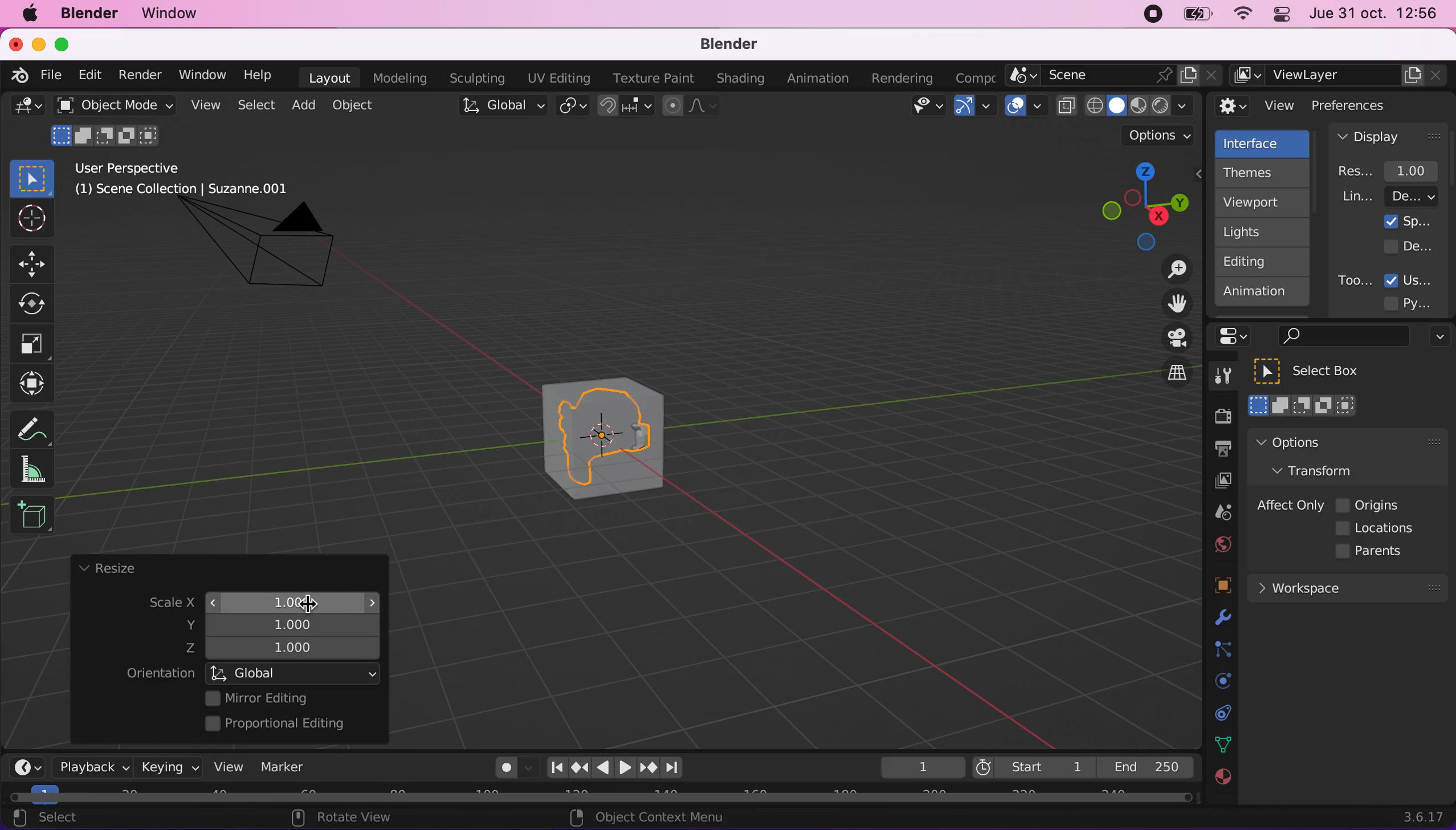 The height and width of the screenshot is (830, 1456). I want to click on scale, so click(161, 604).